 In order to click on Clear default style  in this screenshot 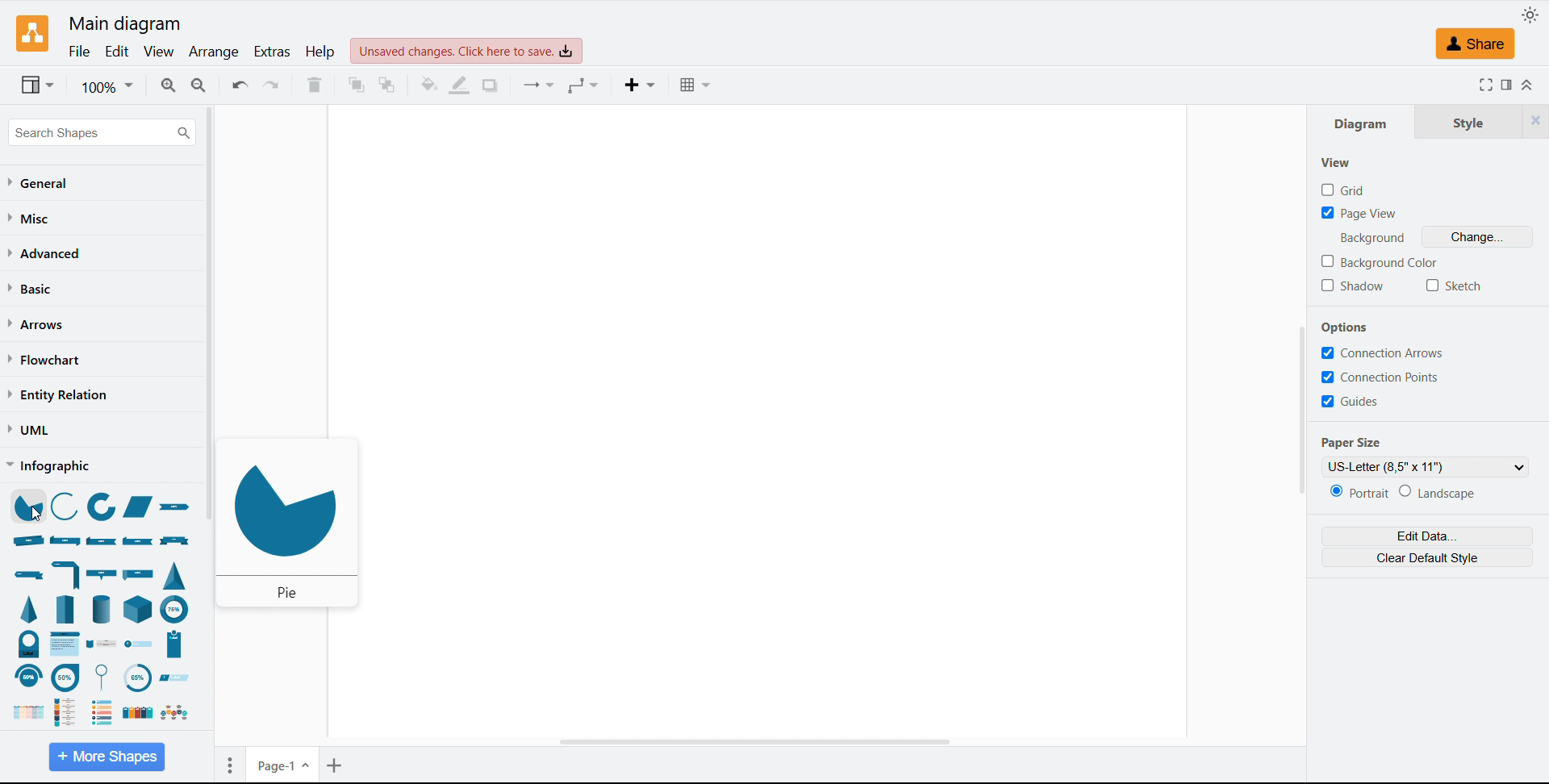, I will do `click(1427, 557)`.